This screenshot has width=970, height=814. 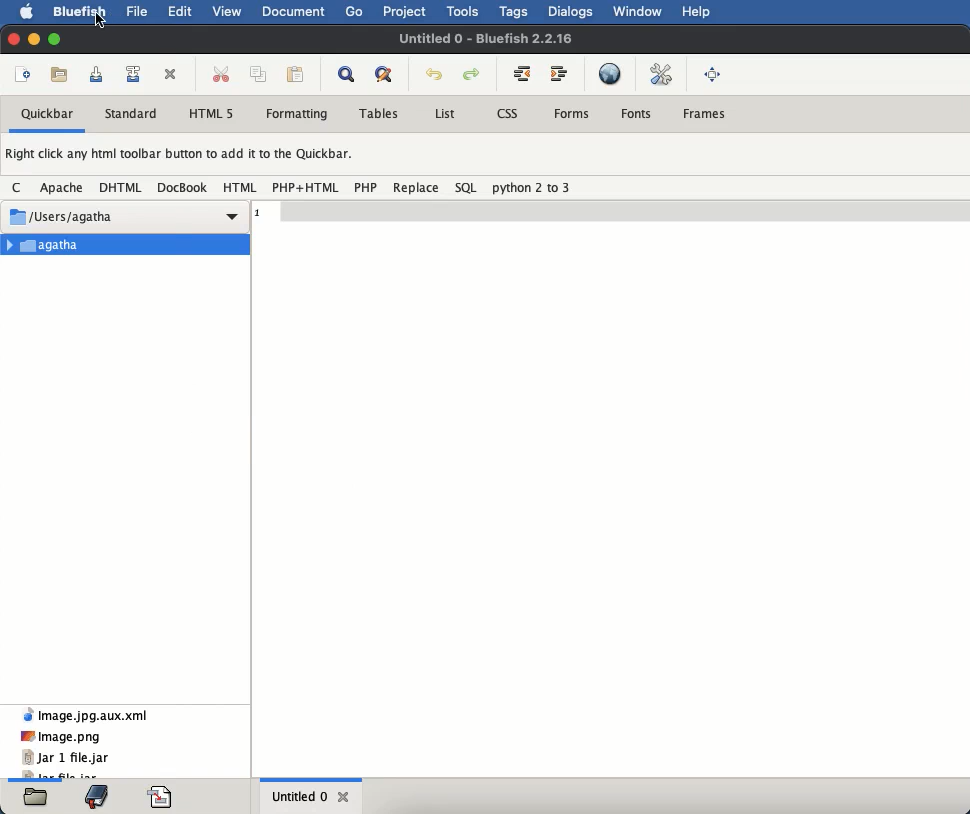 What do you see at coordinates (306, 187) in the screenshot?
I see `PHP + HTML` at bounding box center [306, 187].